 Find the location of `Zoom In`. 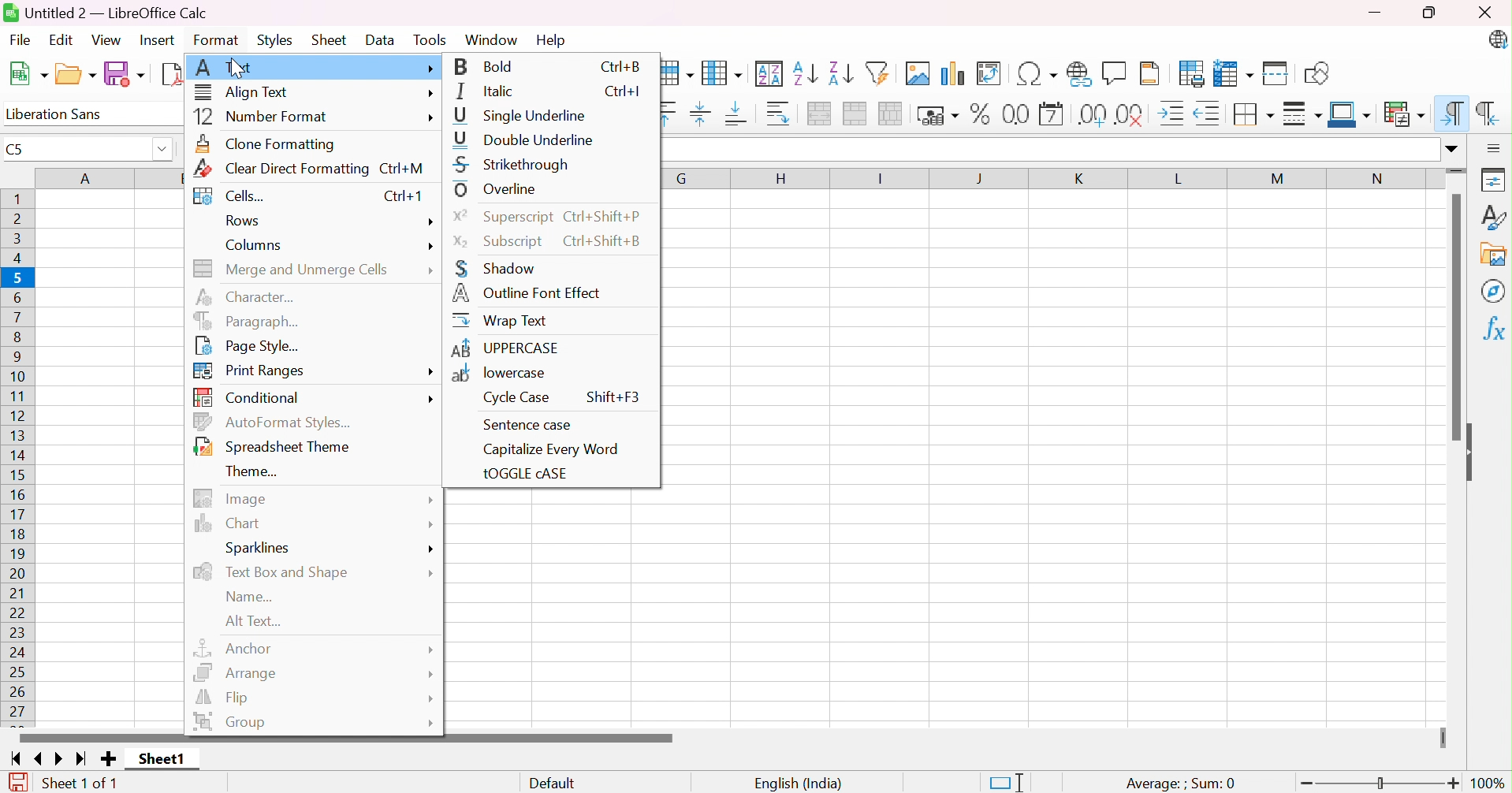

Zoom In is located at coordinates (1454, 783).